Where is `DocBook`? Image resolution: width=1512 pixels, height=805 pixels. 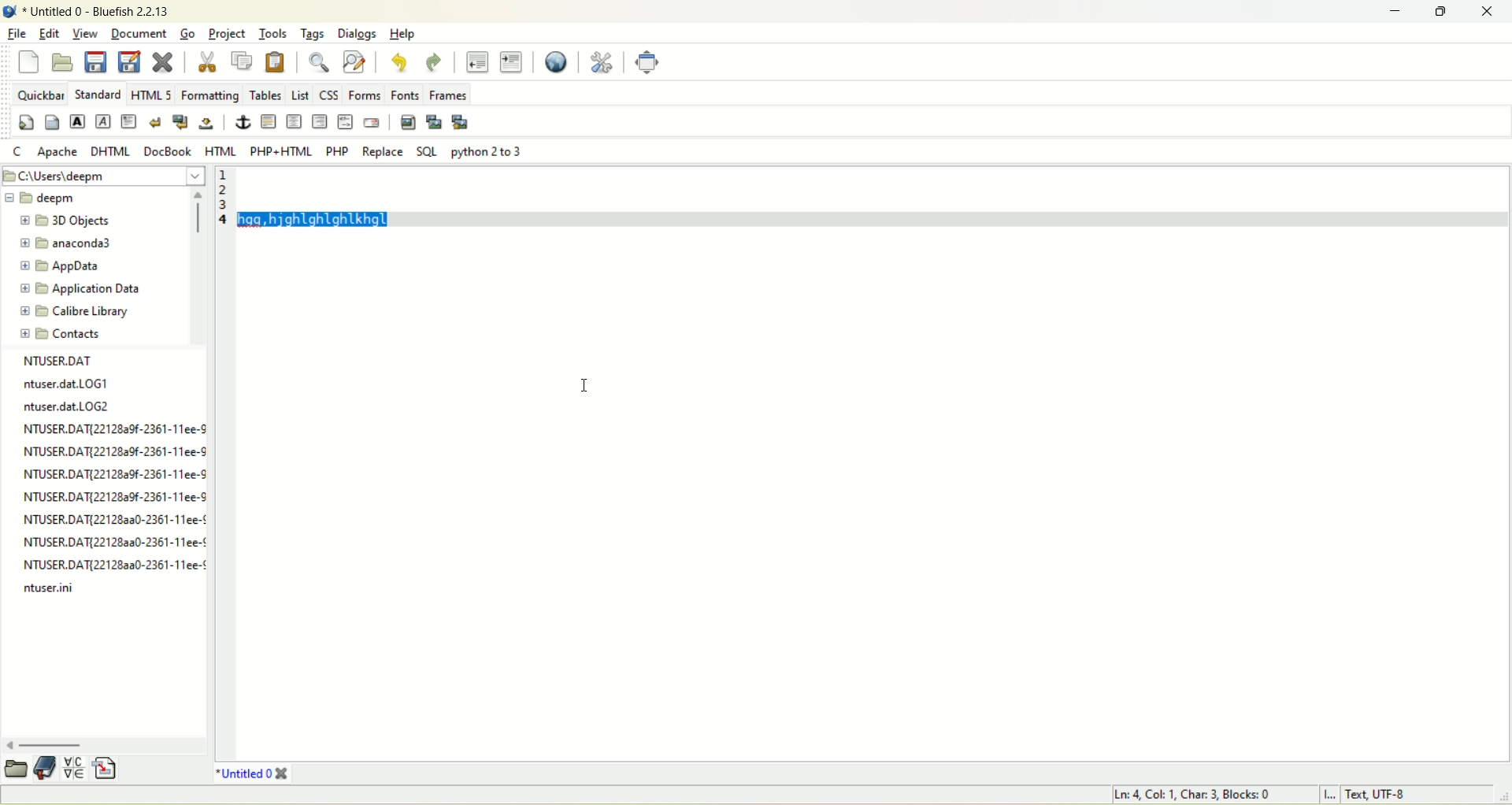
DocBook is located at coordinates (167, 151).